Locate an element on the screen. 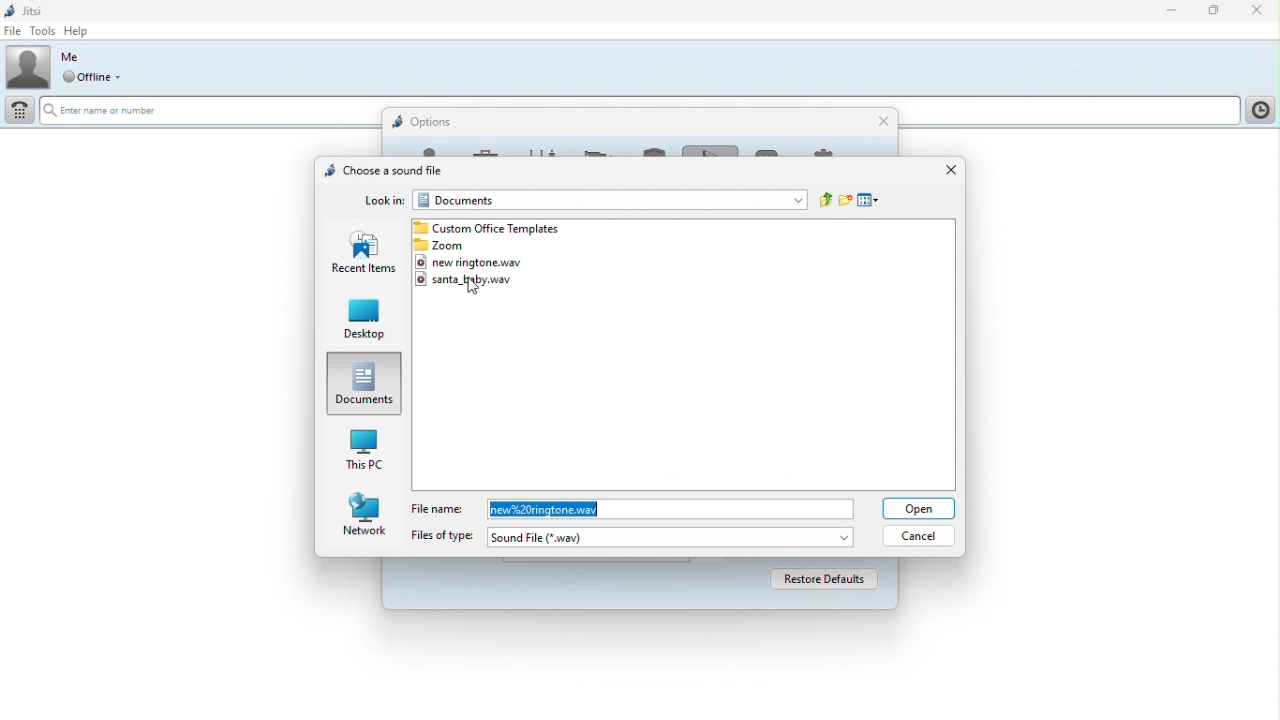 Image resolution: width=1280 pixels, height=720 pixels. cancel is located at coordinates (884, 122).